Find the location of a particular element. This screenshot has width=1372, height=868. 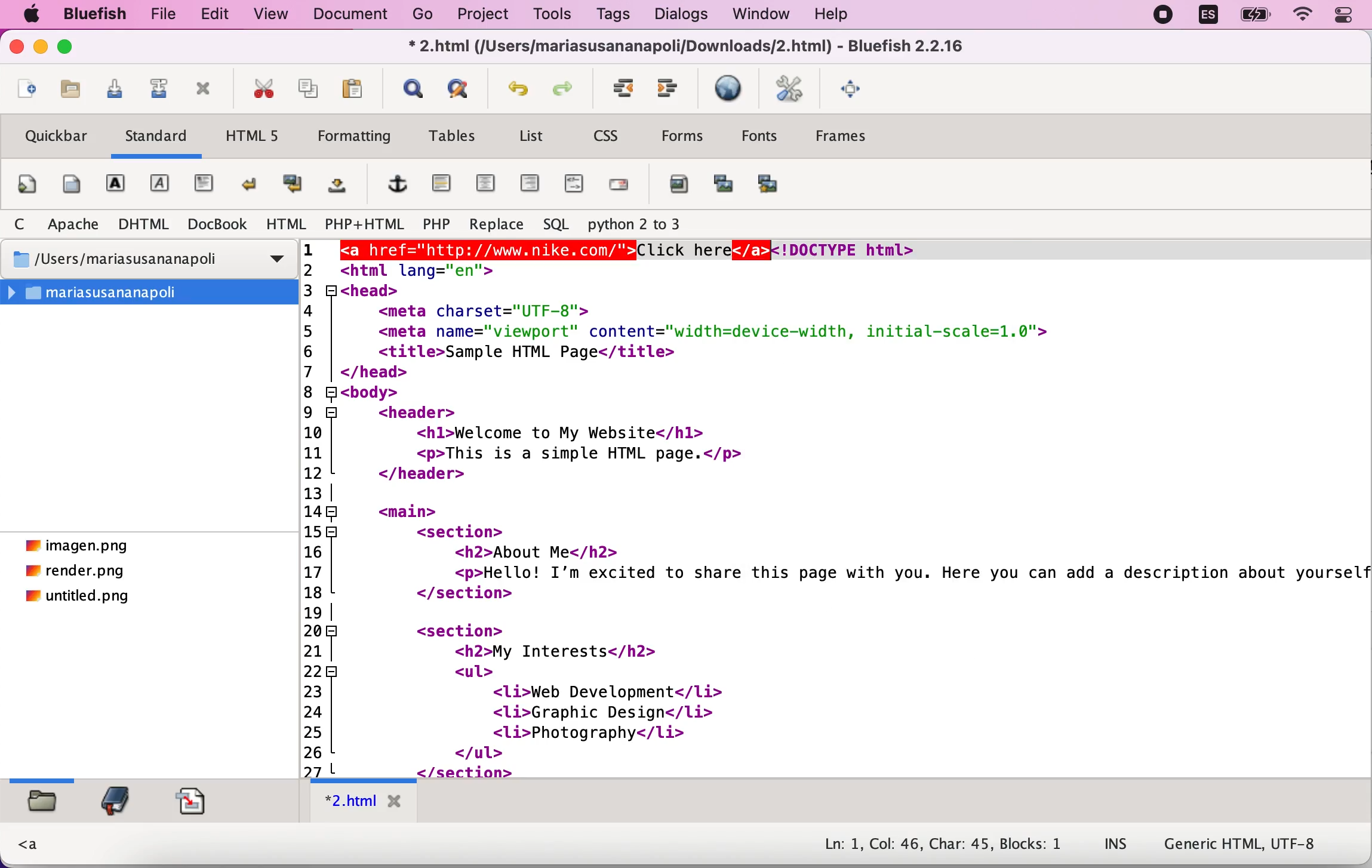

control centre is located at coordinates (1344, 16).